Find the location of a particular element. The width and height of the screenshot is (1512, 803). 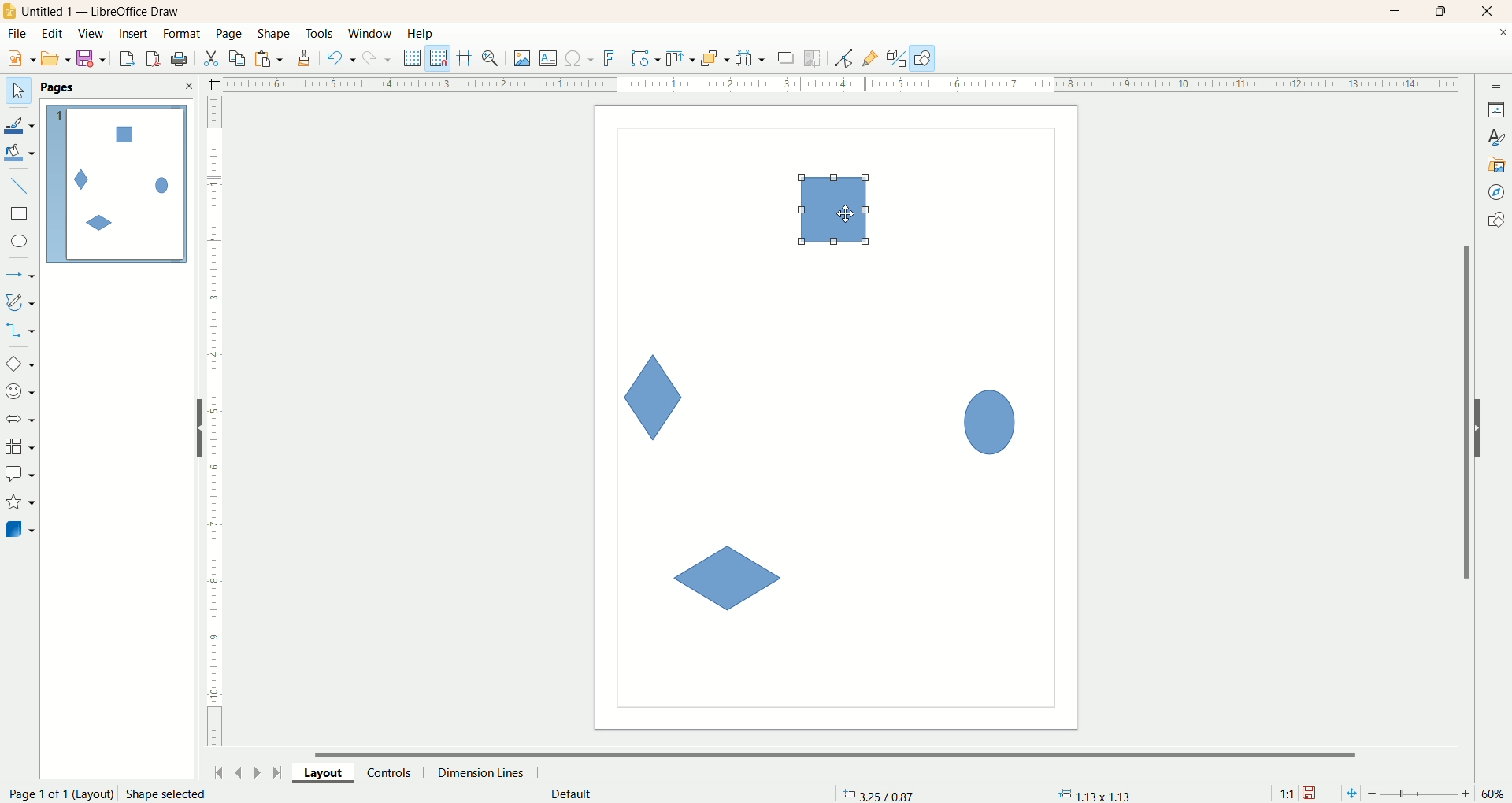

print is located at coordinates (155, 58).